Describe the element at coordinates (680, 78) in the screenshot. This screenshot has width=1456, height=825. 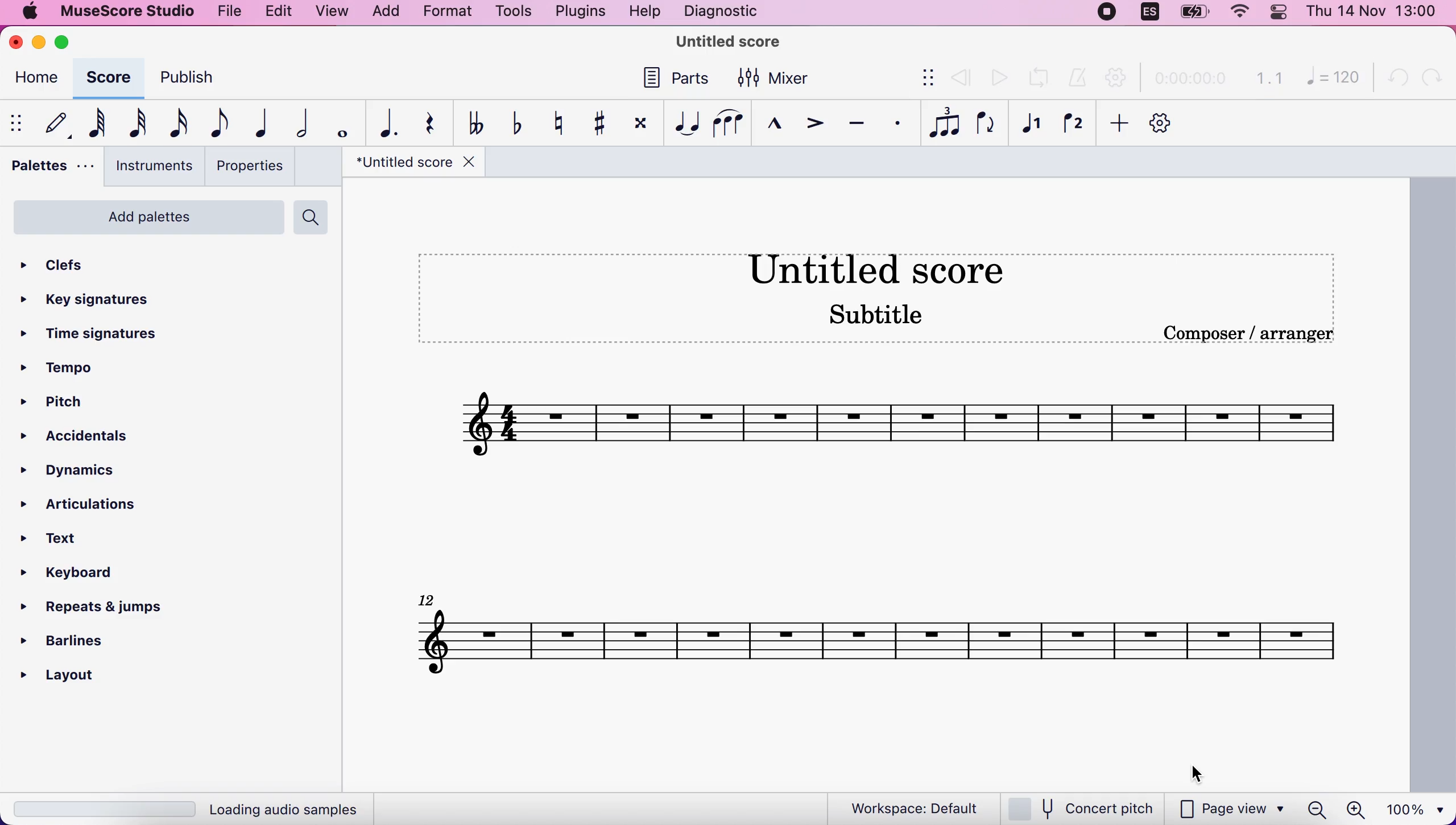
I see `parts` at that location.